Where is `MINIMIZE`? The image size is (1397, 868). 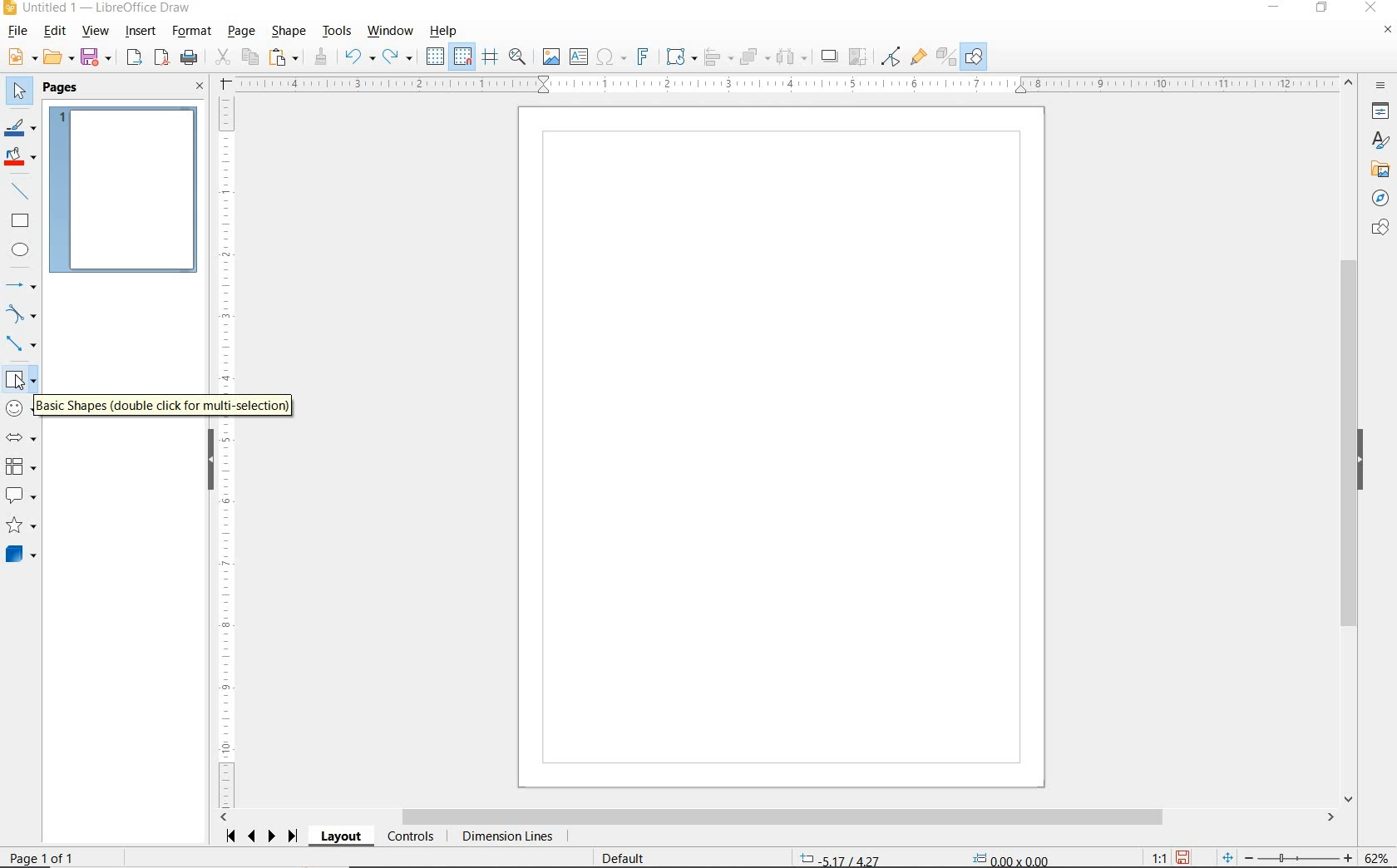 MINIMIZE is located at coordinates (1278, 8).